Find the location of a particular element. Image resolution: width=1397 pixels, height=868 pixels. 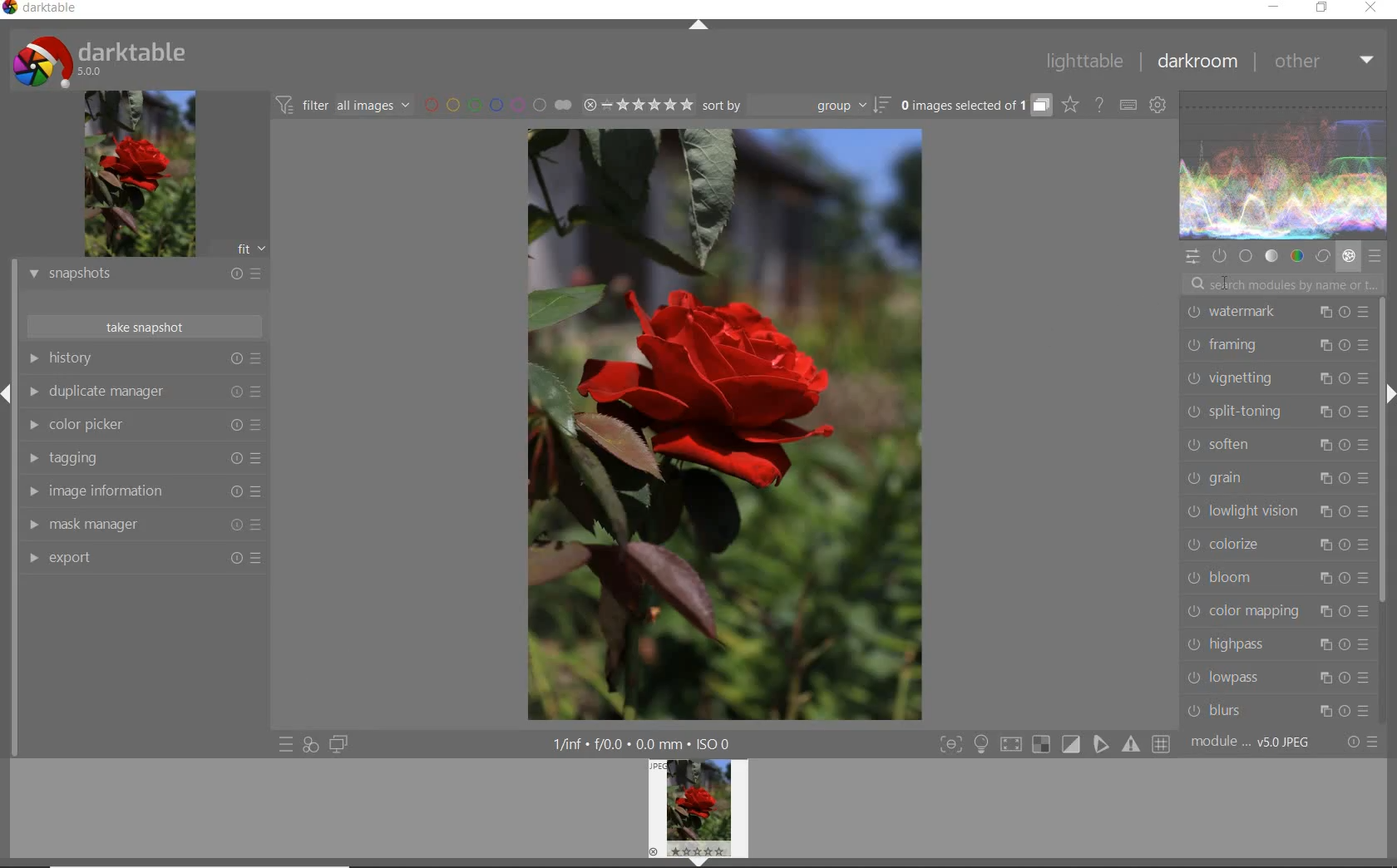

split-toning is located at coordinates (1274, 411).